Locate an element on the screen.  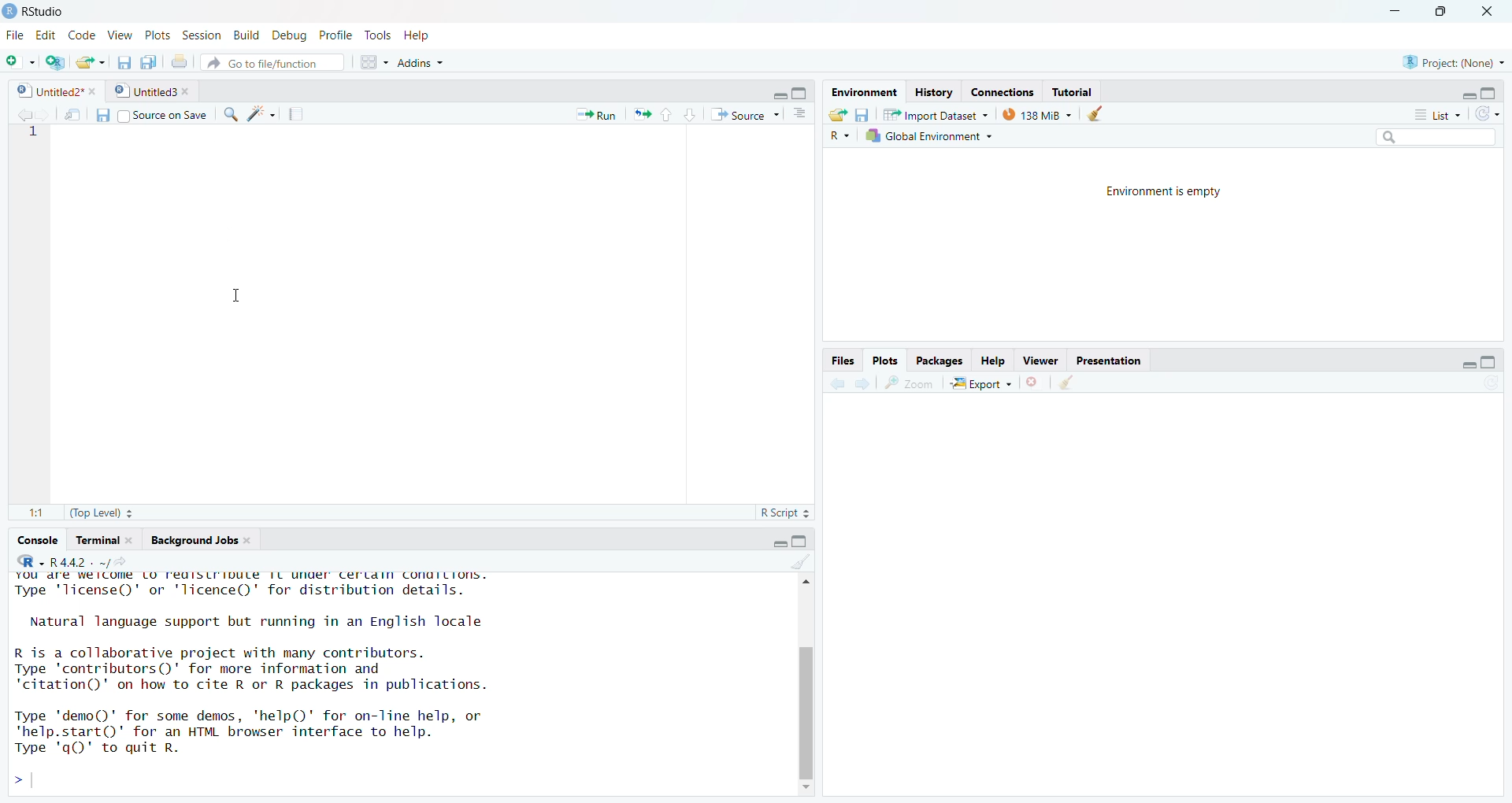
File is located at coordinates (13, 32).